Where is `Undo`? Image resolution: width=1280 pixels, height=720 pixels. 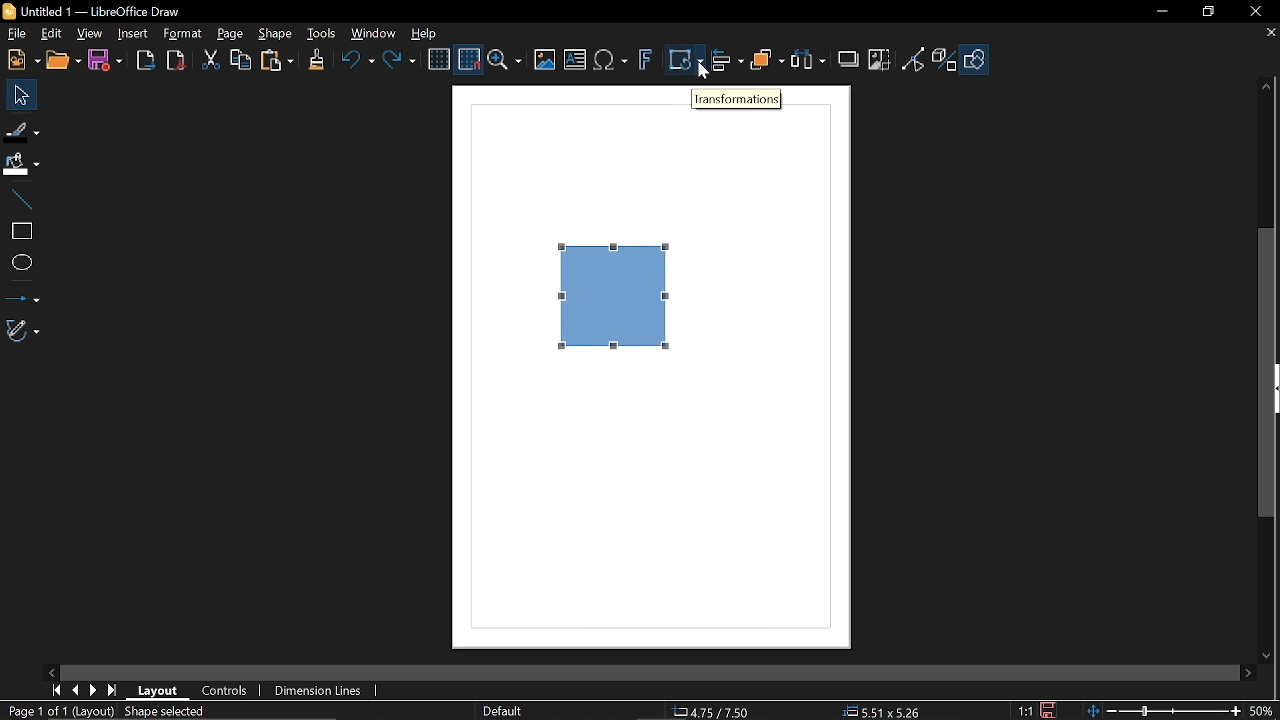 Undo is located at coordinates (354, 62).